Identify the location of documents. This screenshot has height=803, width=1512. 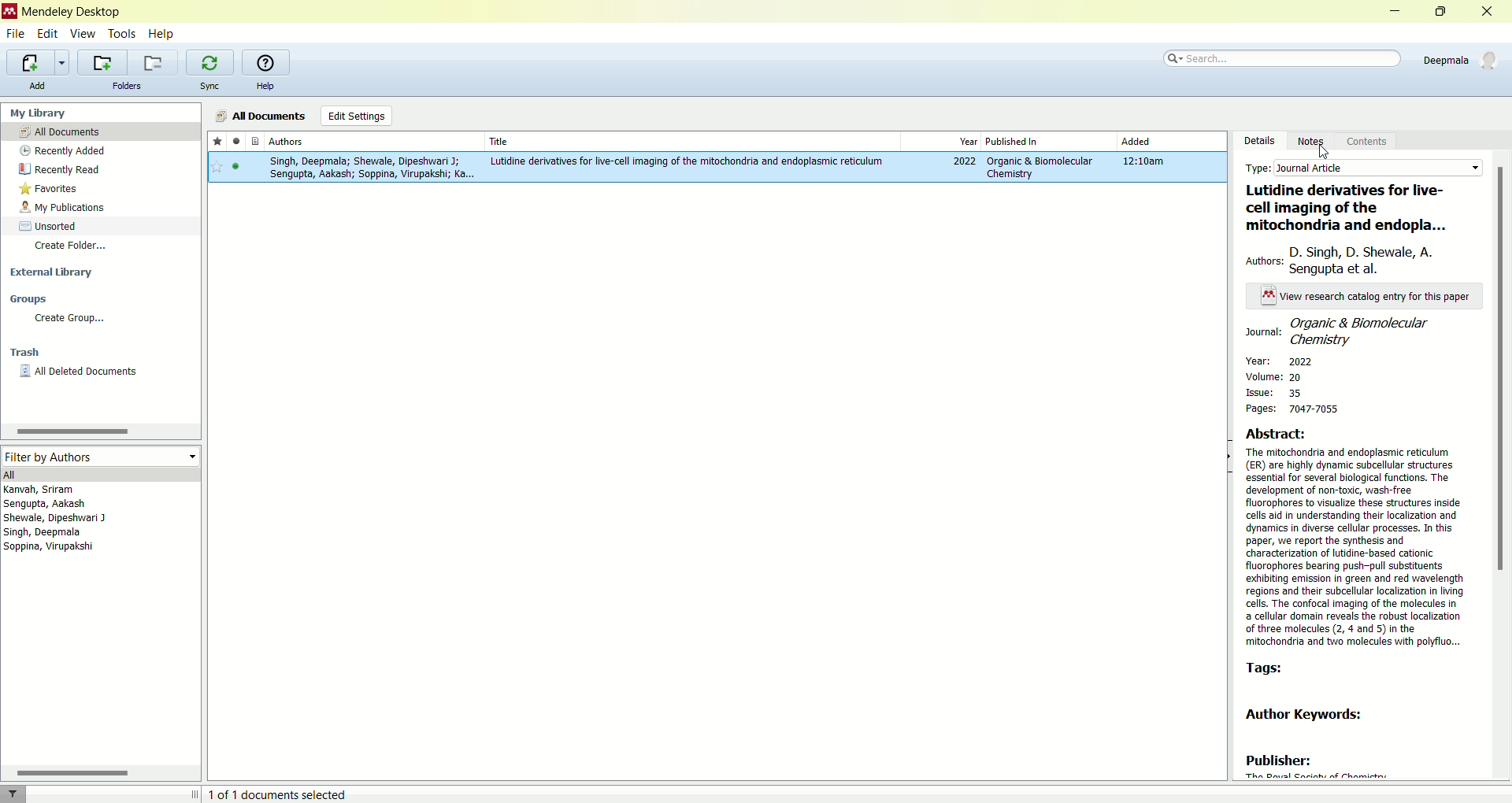
(256, 142).